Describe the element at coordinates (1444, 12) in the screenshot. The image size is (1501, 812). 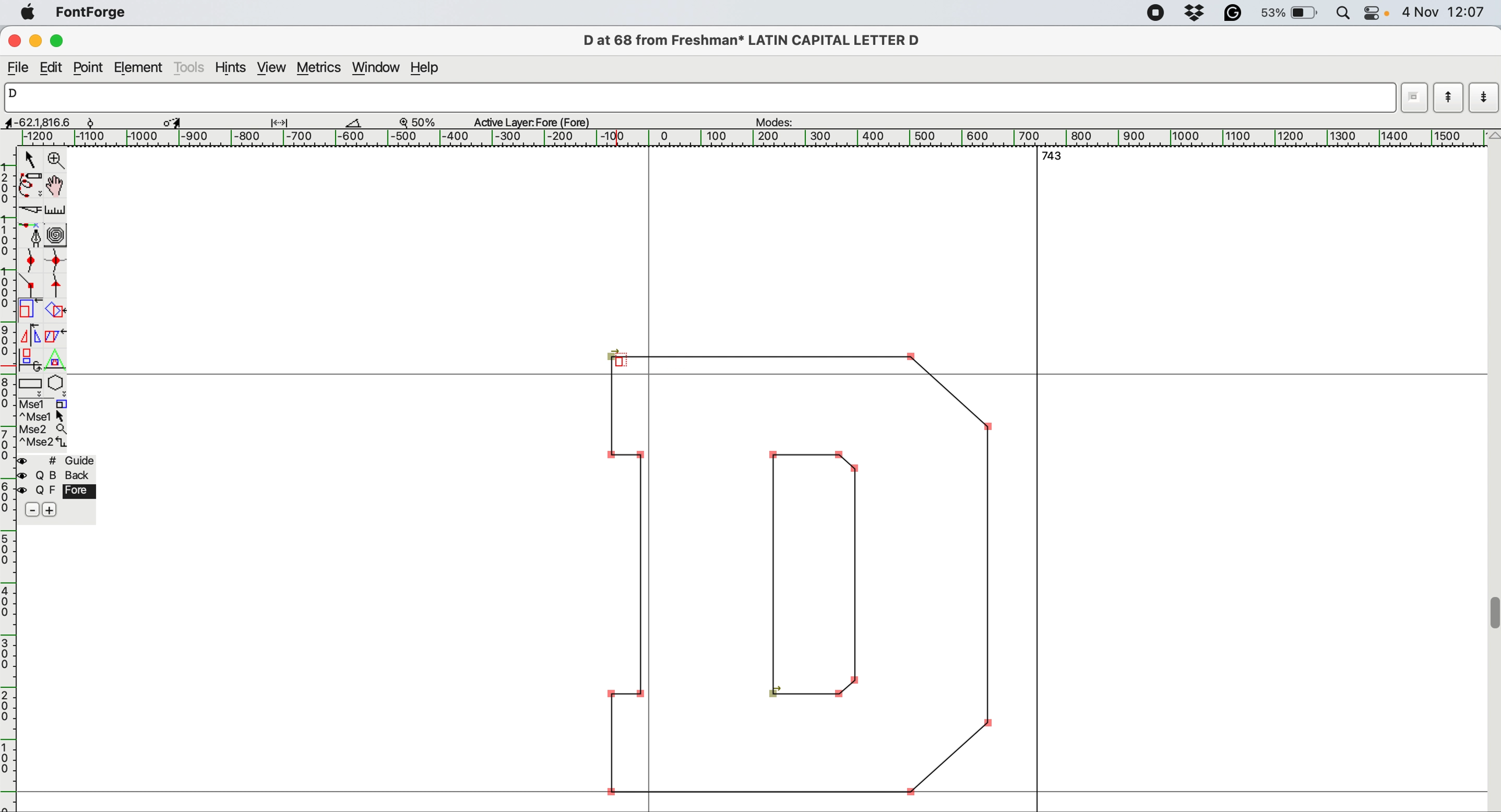
I see `4 Nov 12:07` at that location.